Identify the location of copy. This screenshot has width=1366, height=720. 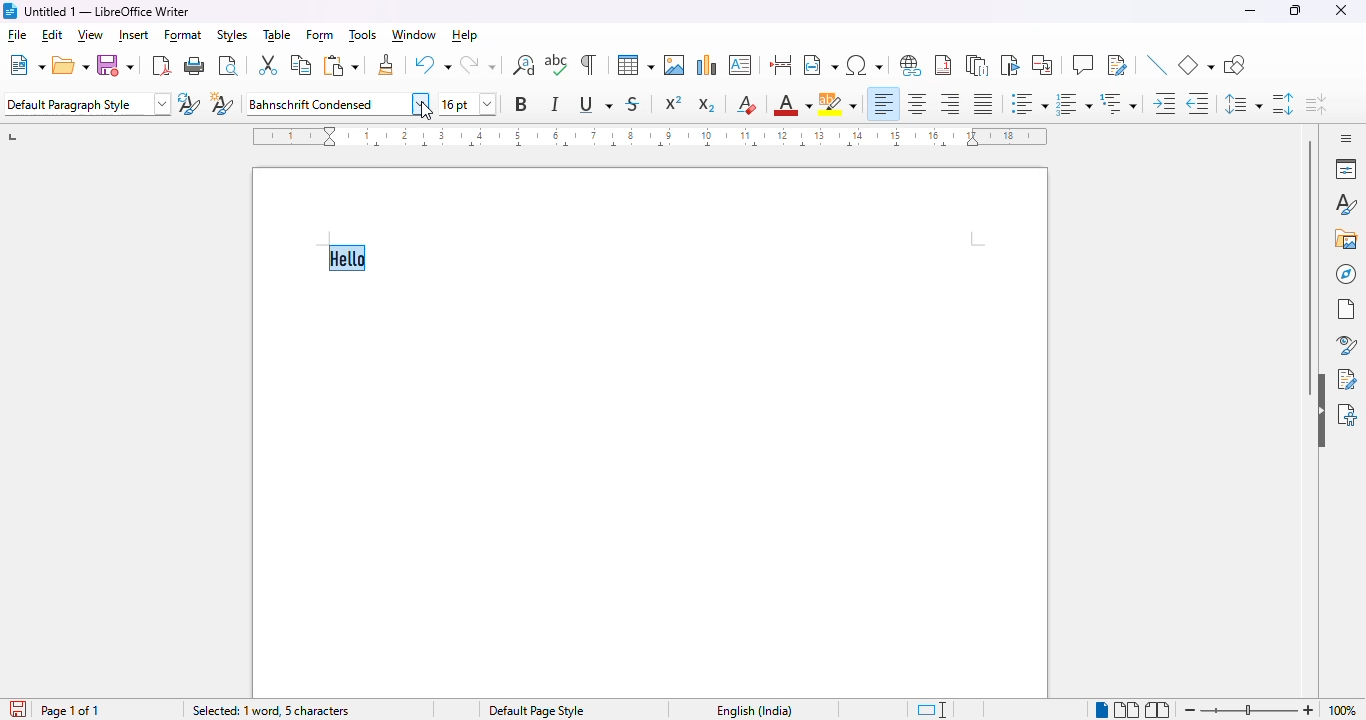
(300, 64).